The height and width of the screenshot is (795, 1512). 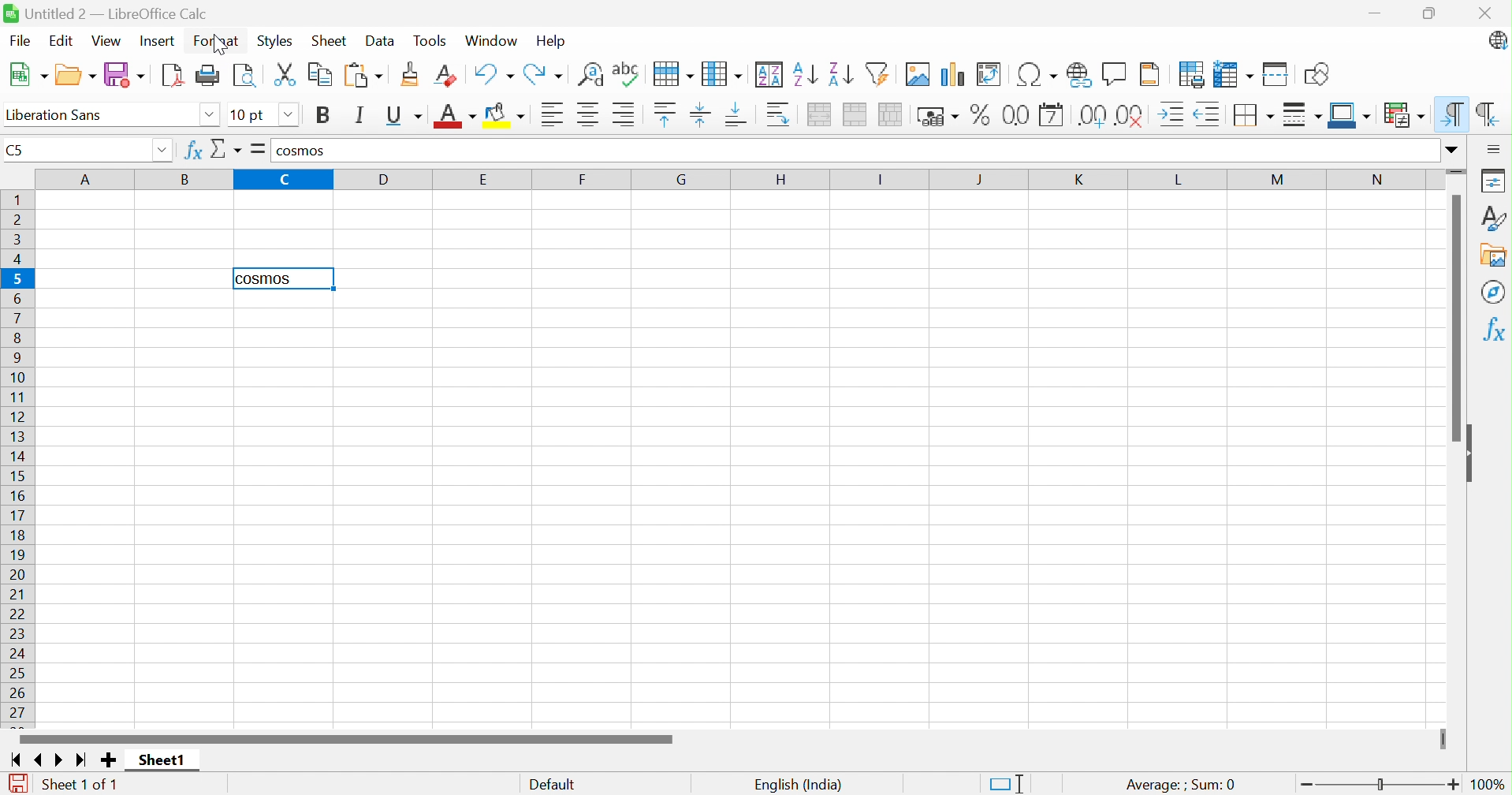 I want to click on Font name, so click(x=100, y=117).